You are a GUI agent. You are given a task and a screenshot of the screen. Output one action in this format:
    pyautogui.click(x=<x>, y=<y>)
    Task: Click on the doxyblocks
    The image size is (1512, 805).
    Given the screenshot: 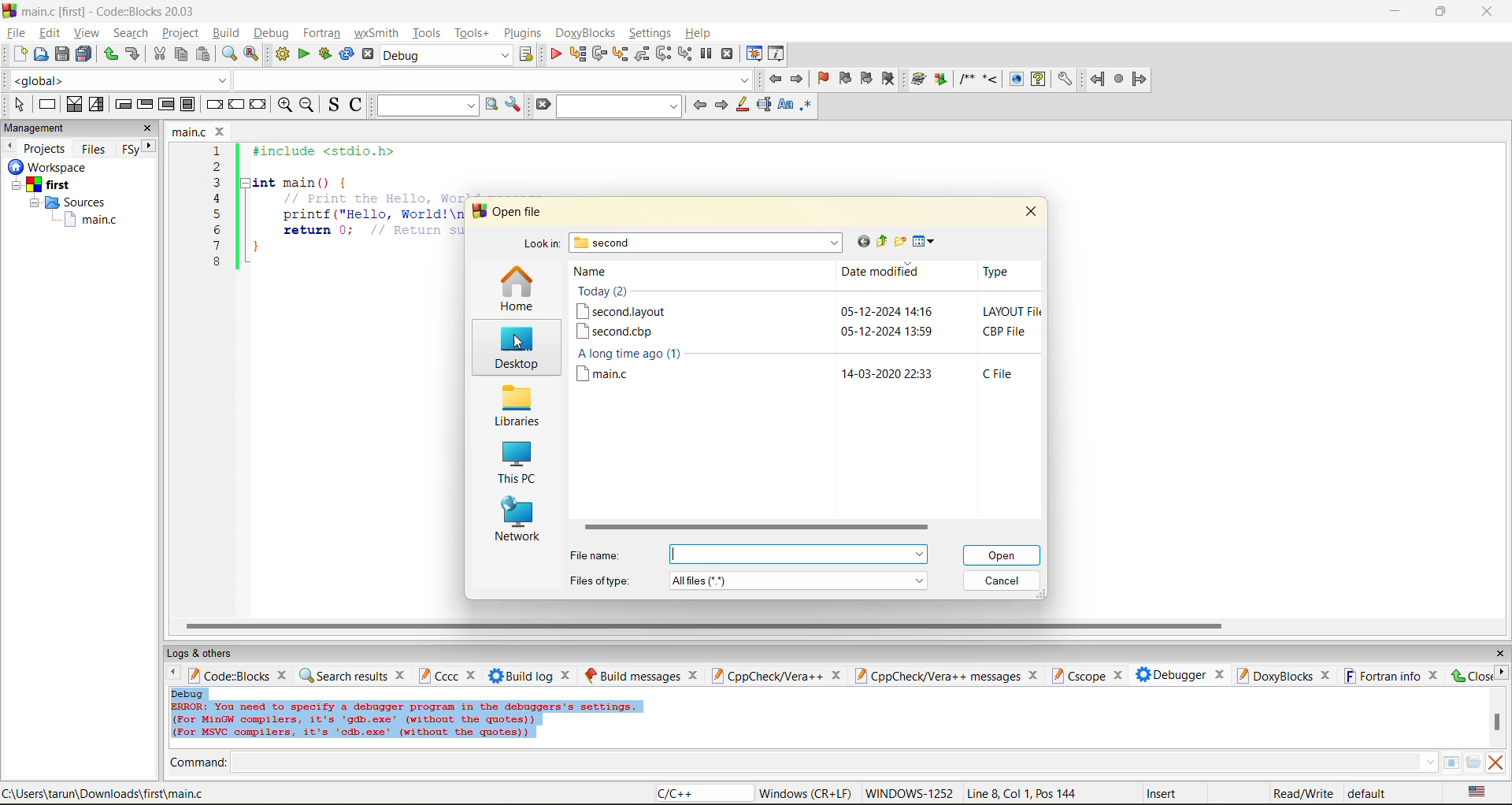 What is the action you would take?
    pyautogui.click(x=588, y=33)
    